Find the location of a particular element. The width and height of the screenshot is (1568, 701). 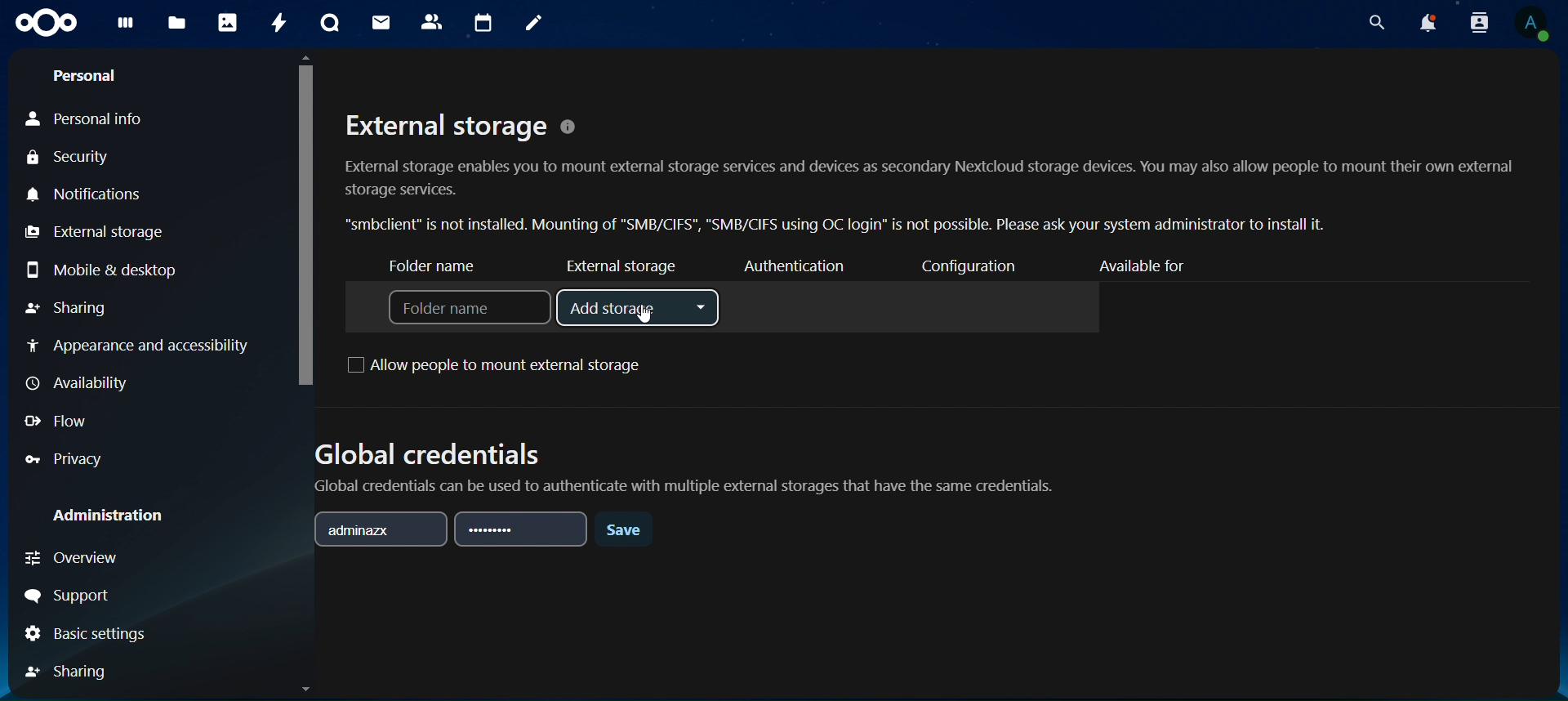

availiabilty is located at coordinates (82, 383).